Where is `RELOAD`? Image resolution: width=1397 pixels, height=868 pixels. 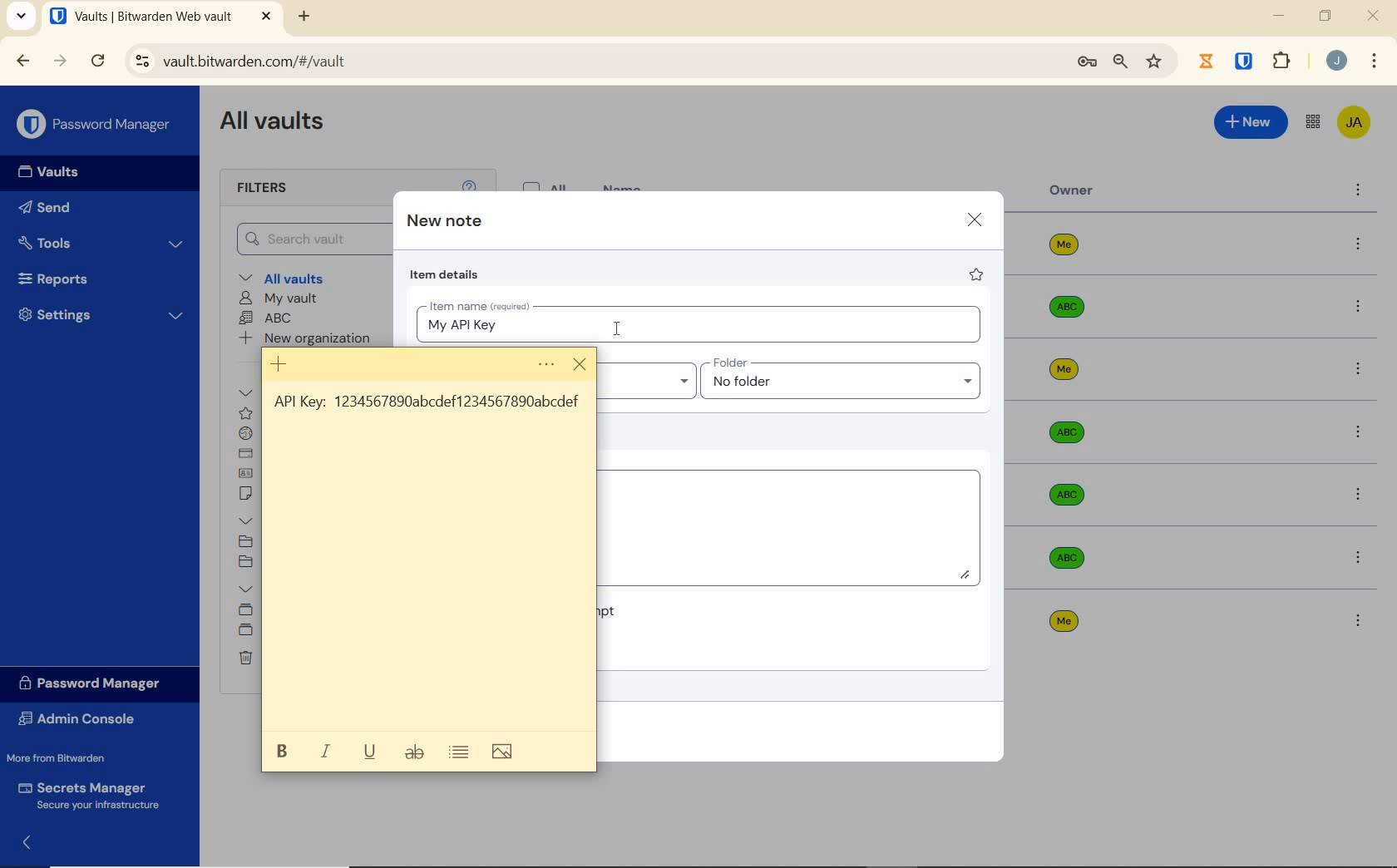 RELOAD is located at coordinates (99, 62).